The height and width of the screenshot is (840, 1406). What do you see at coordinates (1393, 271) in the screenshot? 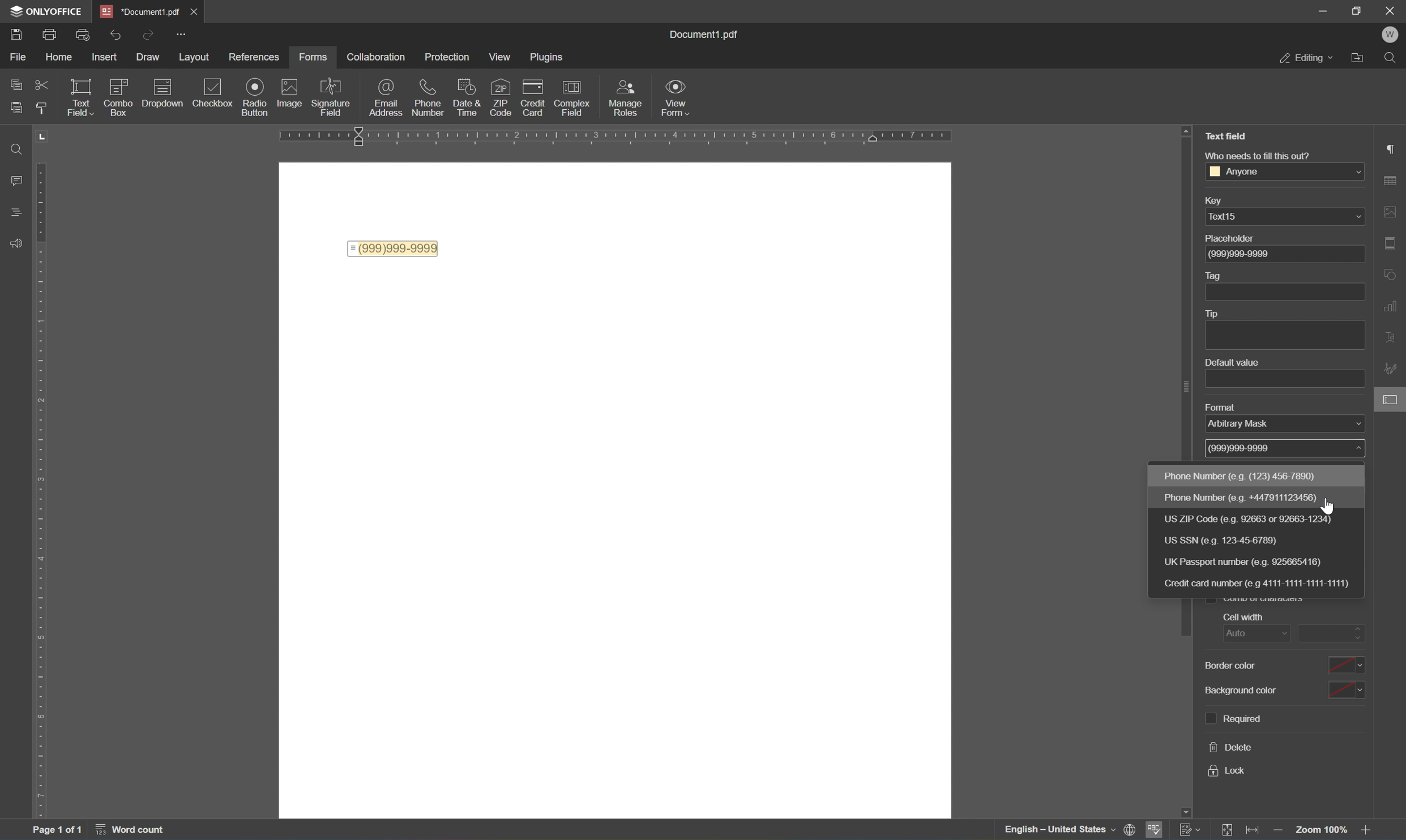
I see `shape settings` at bounding box center [1393, 271].